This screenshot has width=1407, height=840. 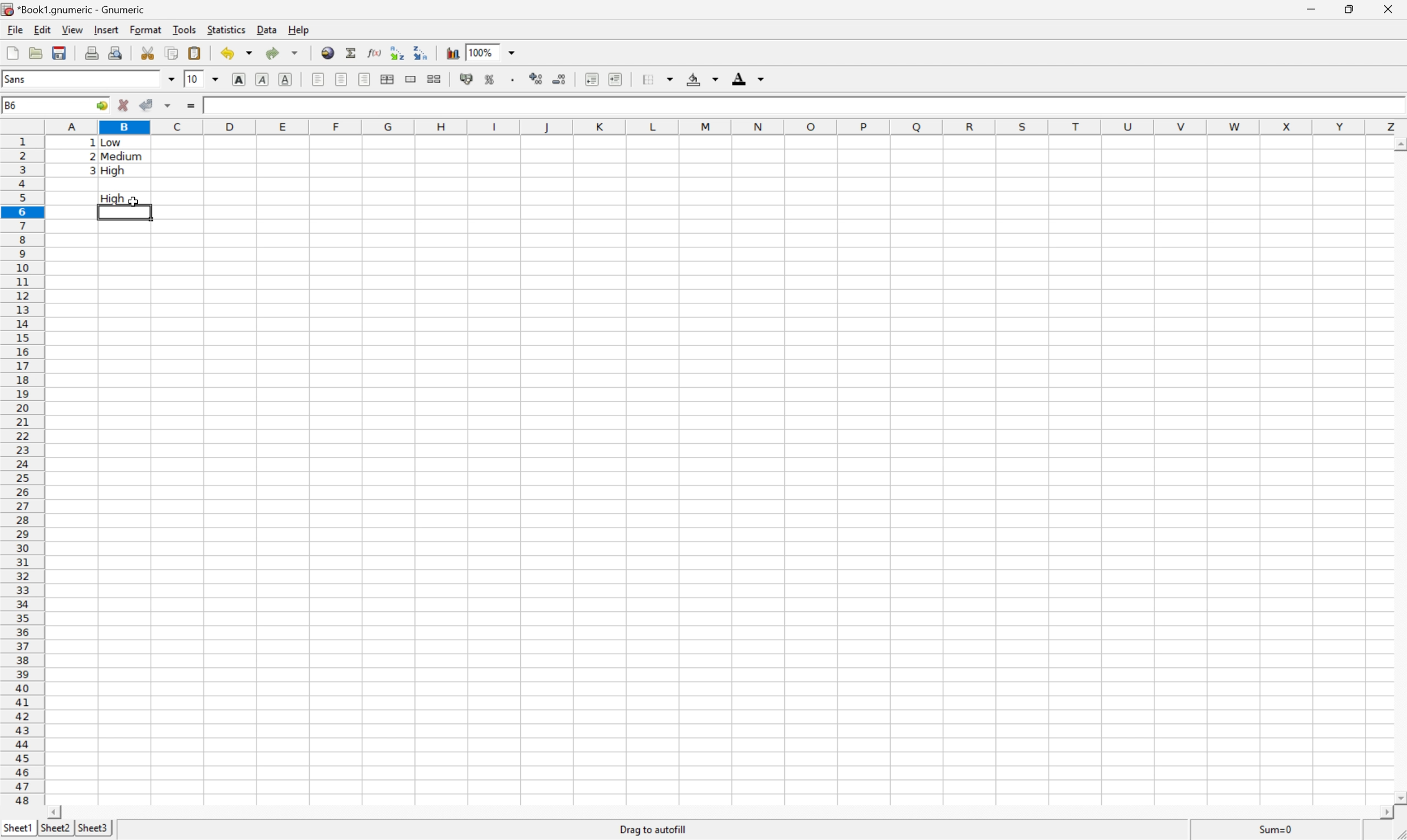 What do you see at coordinates (298, 31) in the screenshot?
I see `Help` at bounding box center [298, 31].